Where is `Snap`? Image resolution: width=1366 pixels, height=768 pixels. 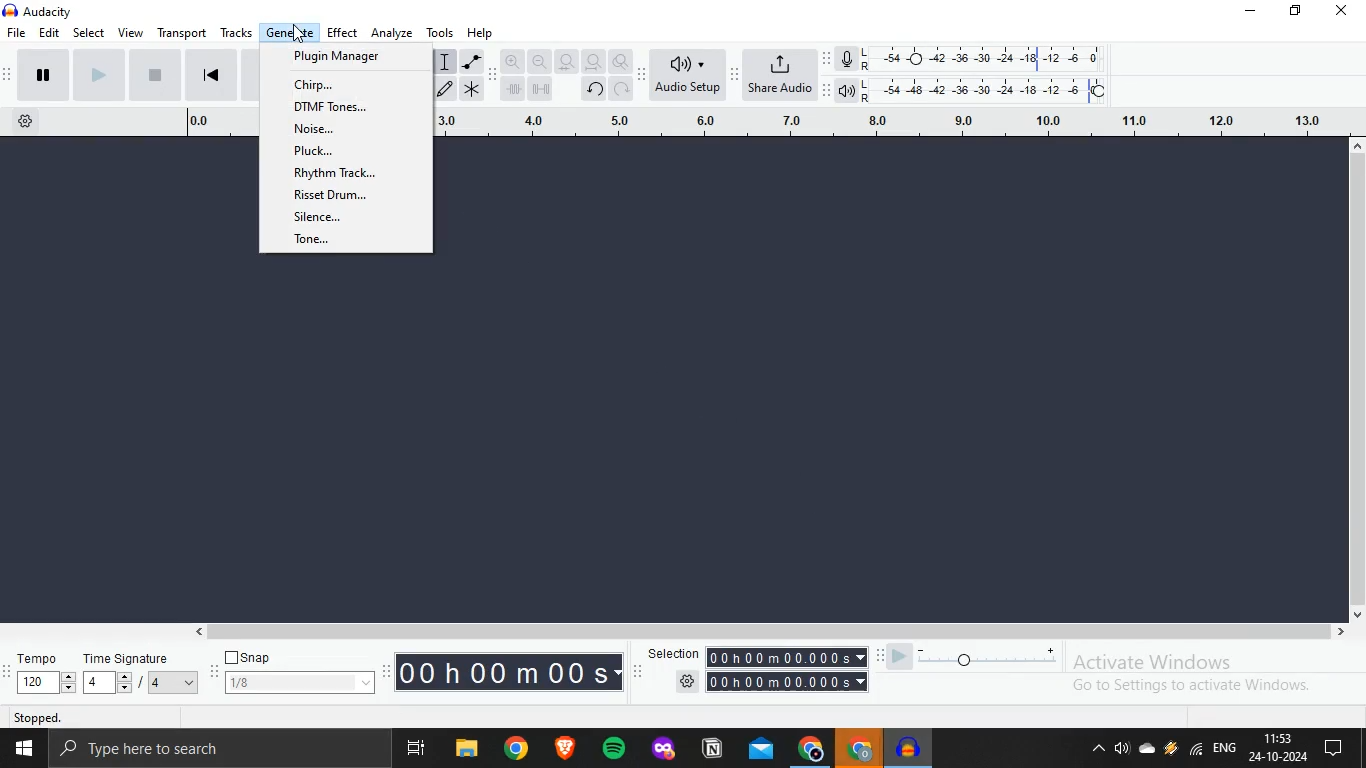 Snap is located at coordinates (251, 657).